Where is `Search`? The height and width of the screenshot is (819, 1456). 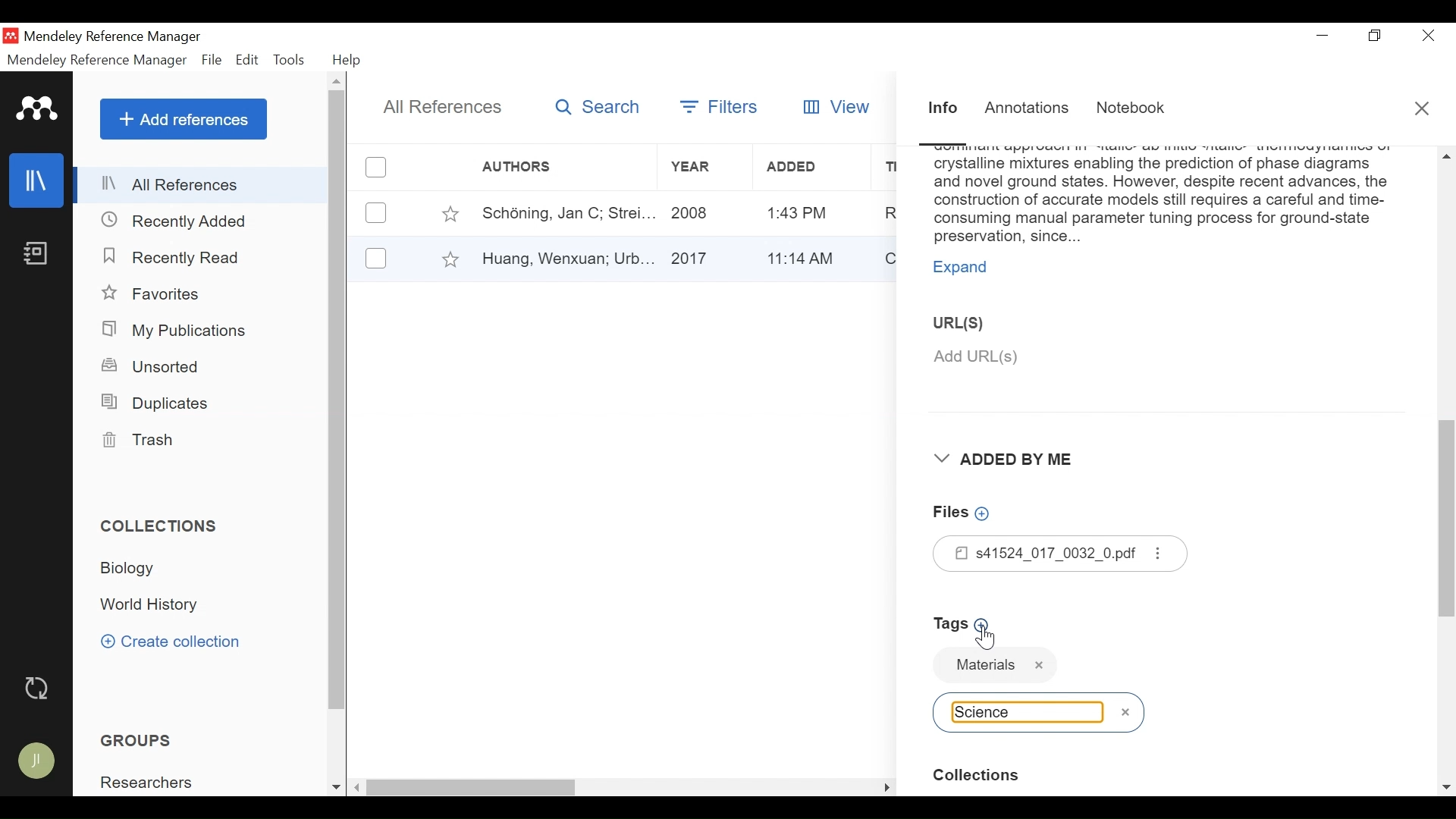
Search is located at coordinates (598, 107).